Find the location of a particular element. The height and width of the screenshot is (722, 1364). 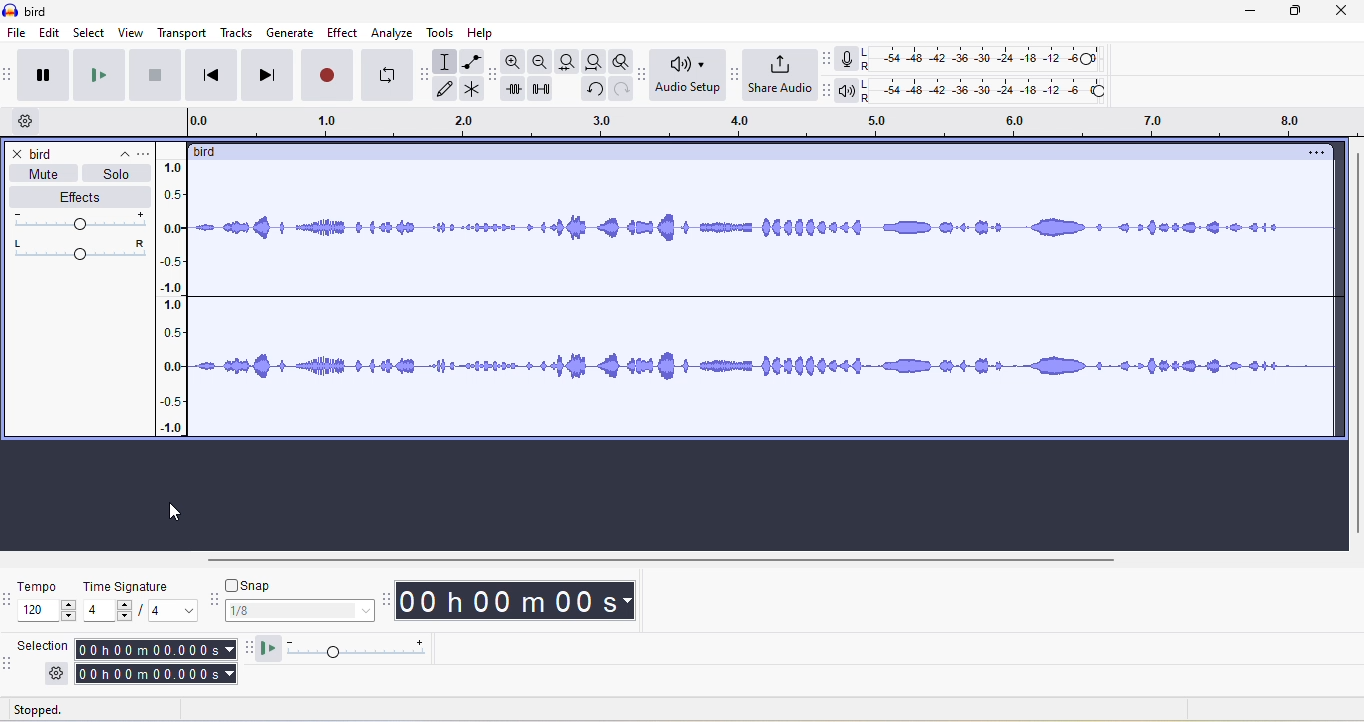

vertical scroll bar is located at coordinates (1352, 344).